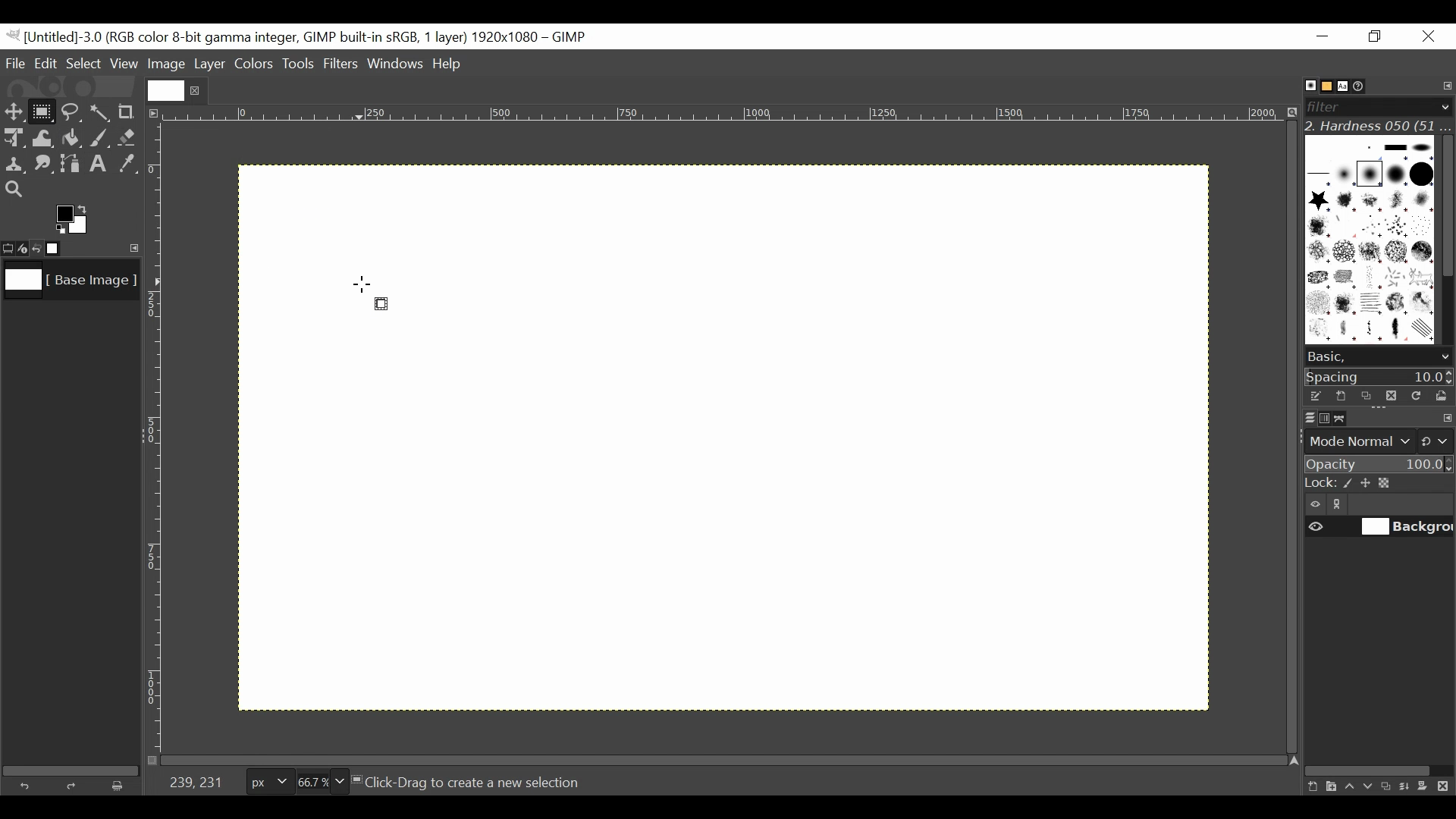 This screenshot has width=1456, height=819. What do you see at coordinates (1345, 85) in the screenshot?
I see `Fonts` at bounding box center [1345, 85].